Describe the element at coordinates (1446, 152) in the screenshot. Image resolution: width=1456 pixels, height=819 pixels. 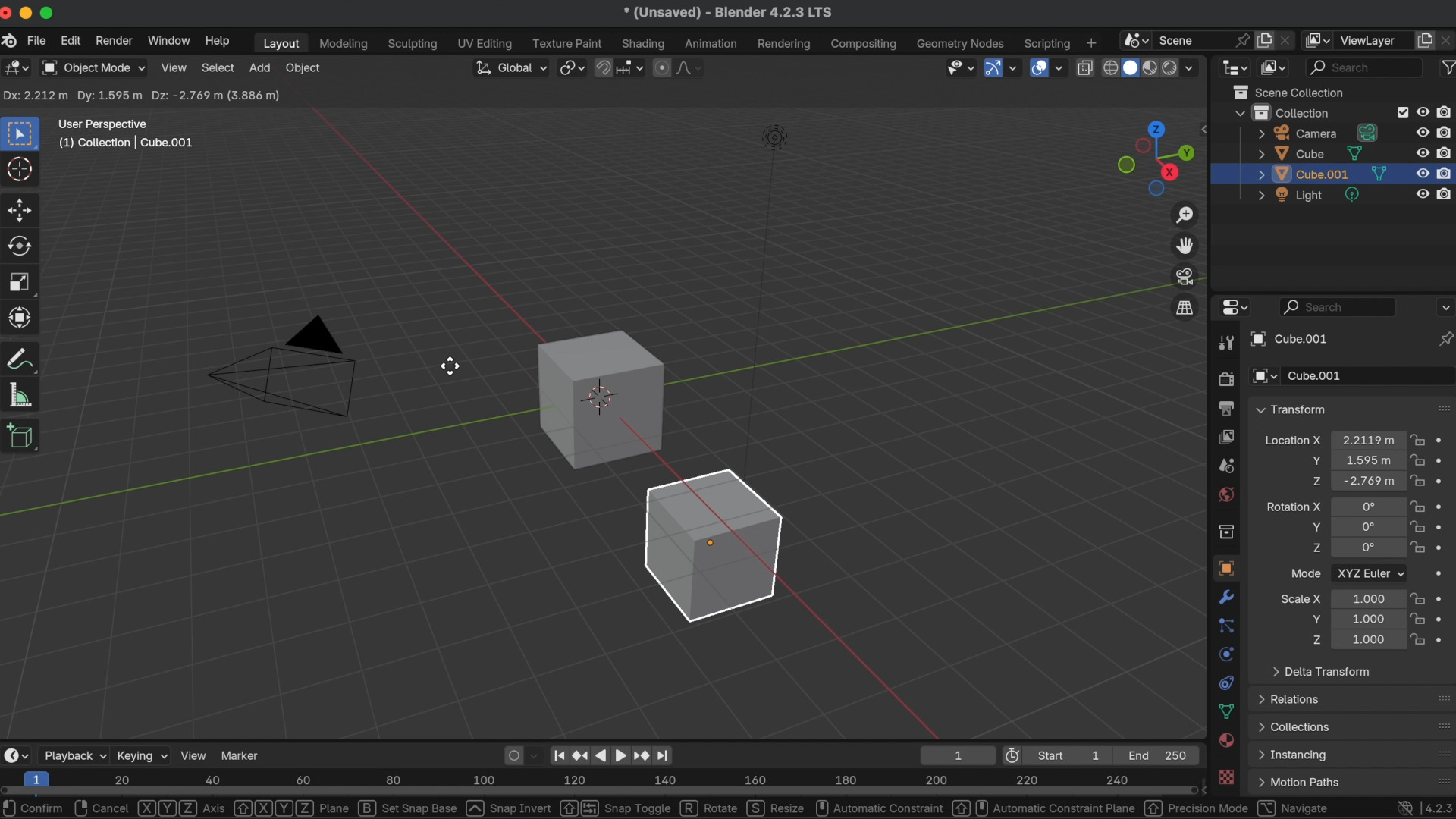
I see `disable in render` at that location.